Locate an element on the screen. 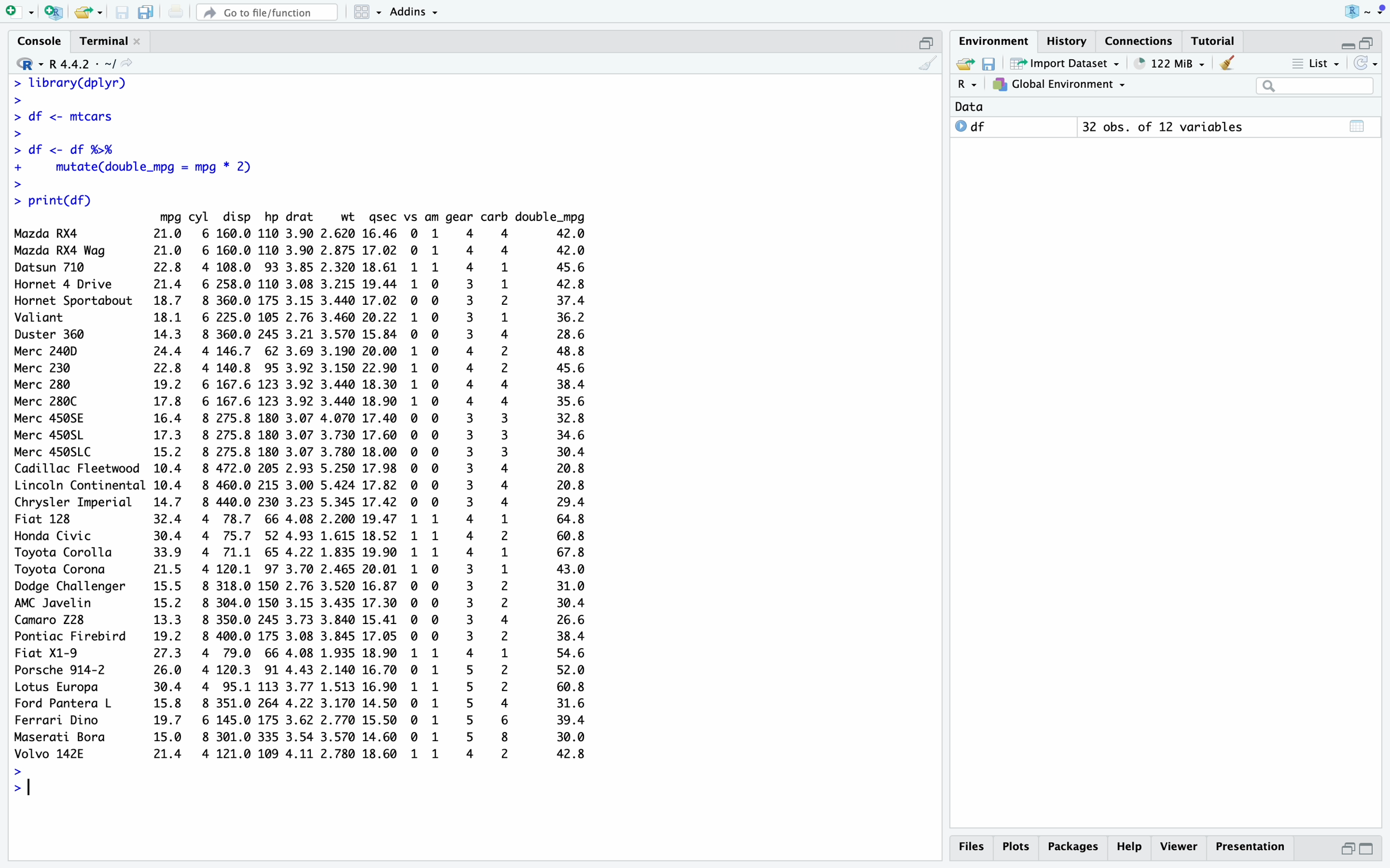 This screenshot has height=868, width=1390. save is located at coordinates (123, 13).